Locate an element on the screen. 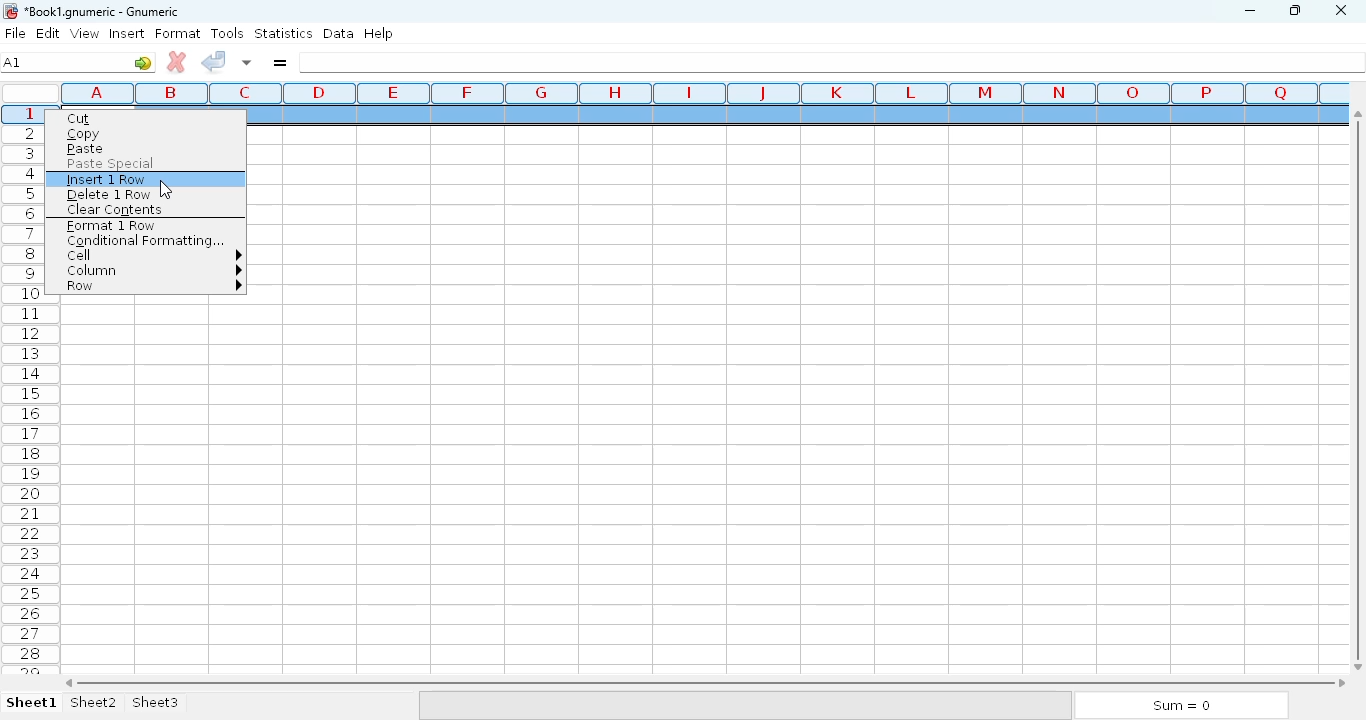  close is located at coordinates (1340, 11).